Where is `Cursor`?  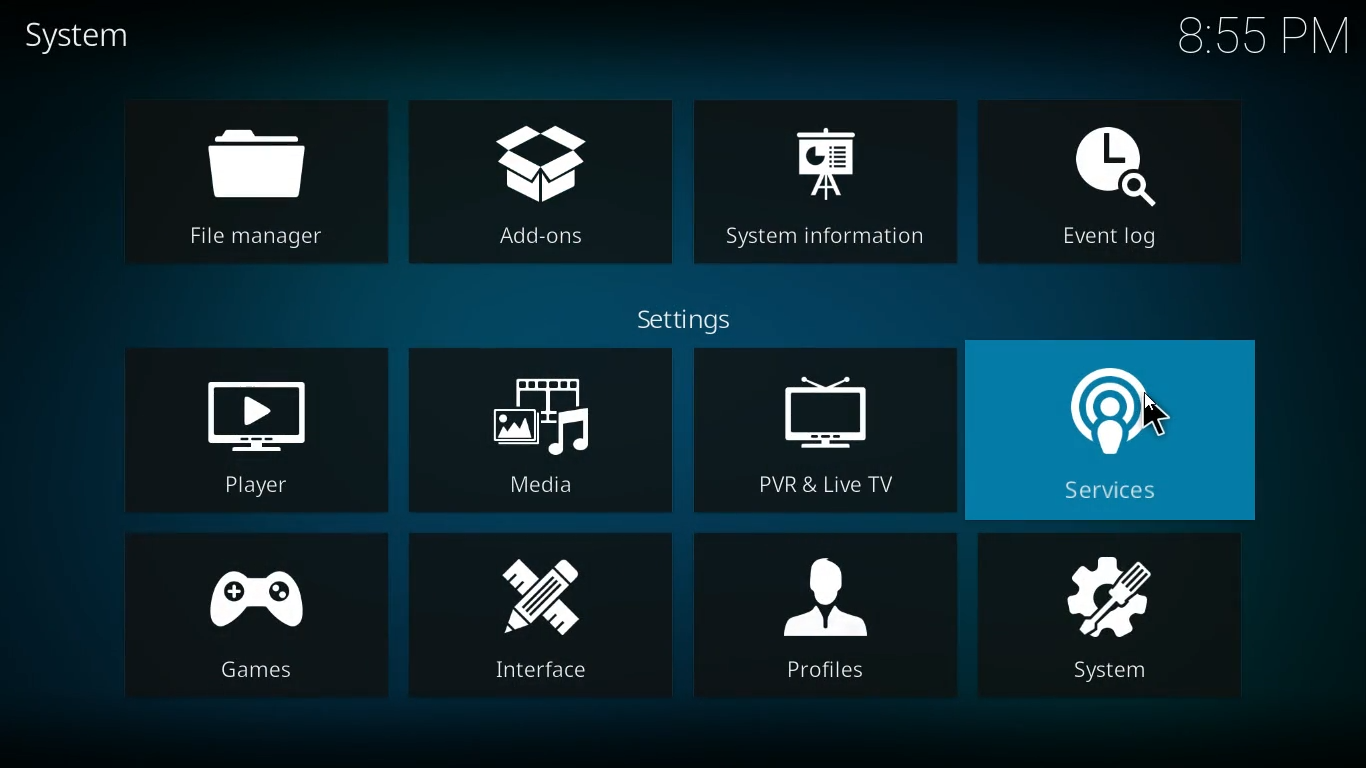 Cursor is located at coordinates (1157, 414).